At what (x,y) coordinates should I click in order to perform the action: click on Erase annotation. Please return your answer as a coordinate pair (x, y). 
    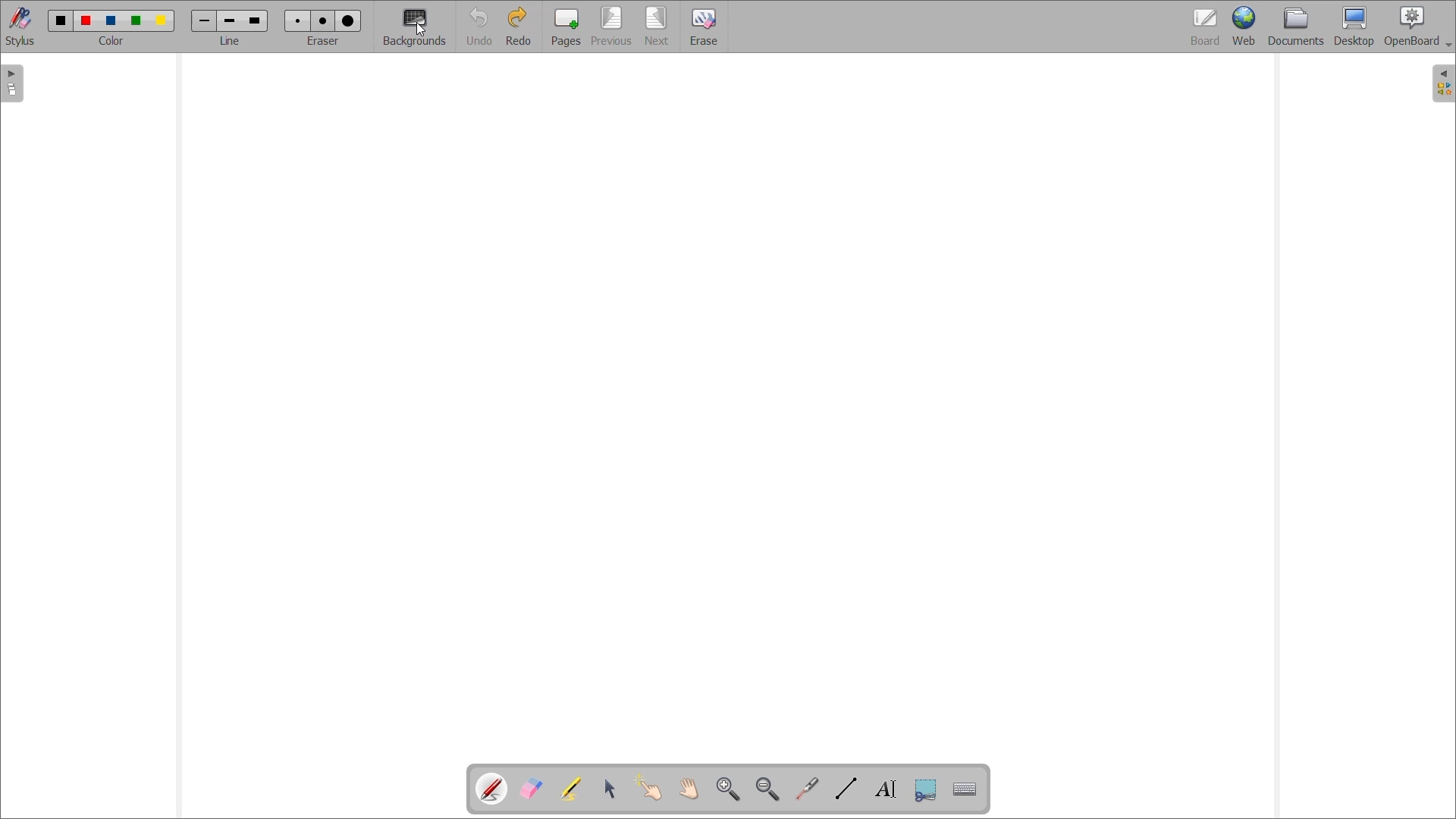
    Looking at the image, I should click on (530, 789).